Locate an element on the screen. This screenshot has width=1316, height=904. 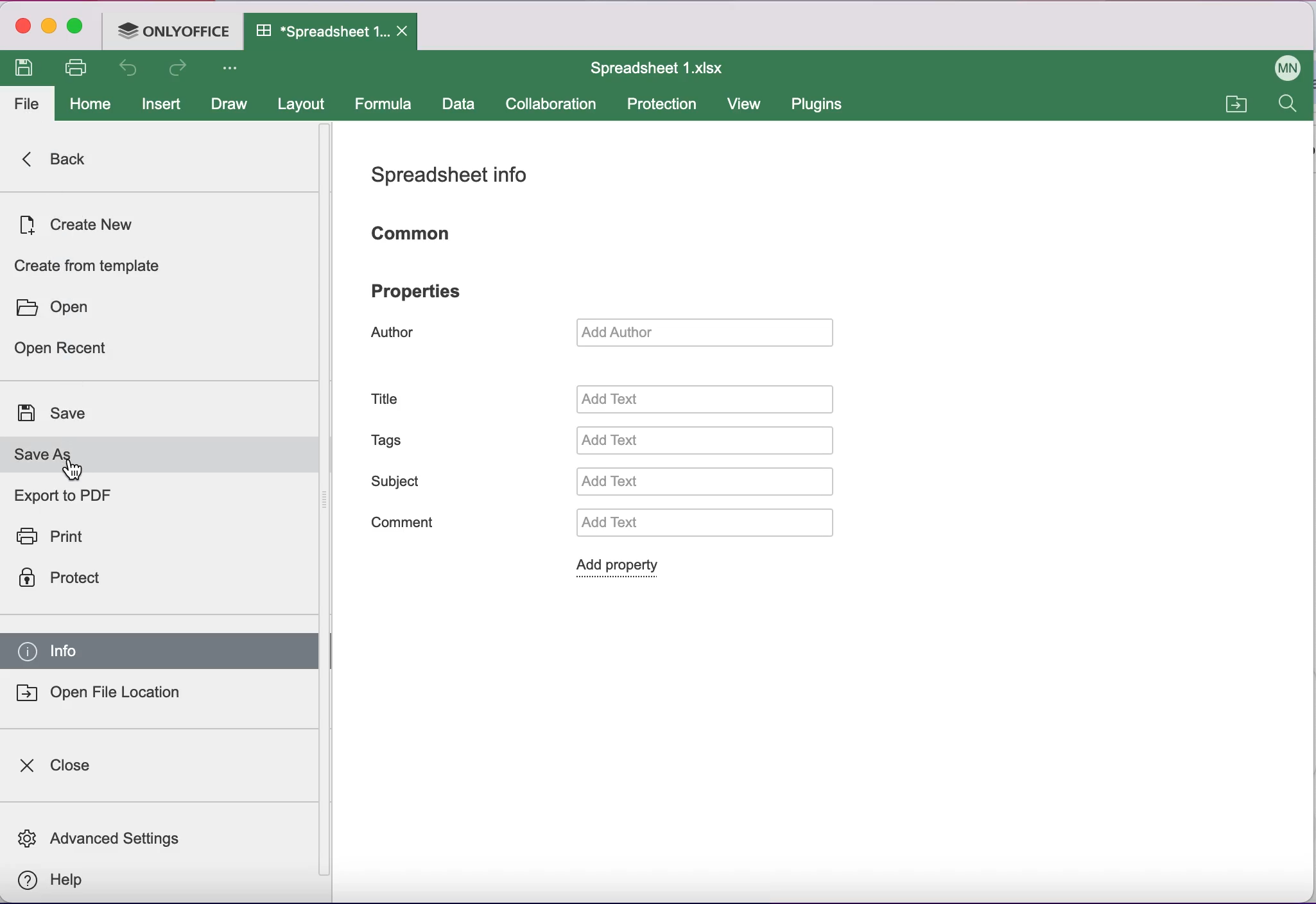
cursor is located at coordinates (73, 471).